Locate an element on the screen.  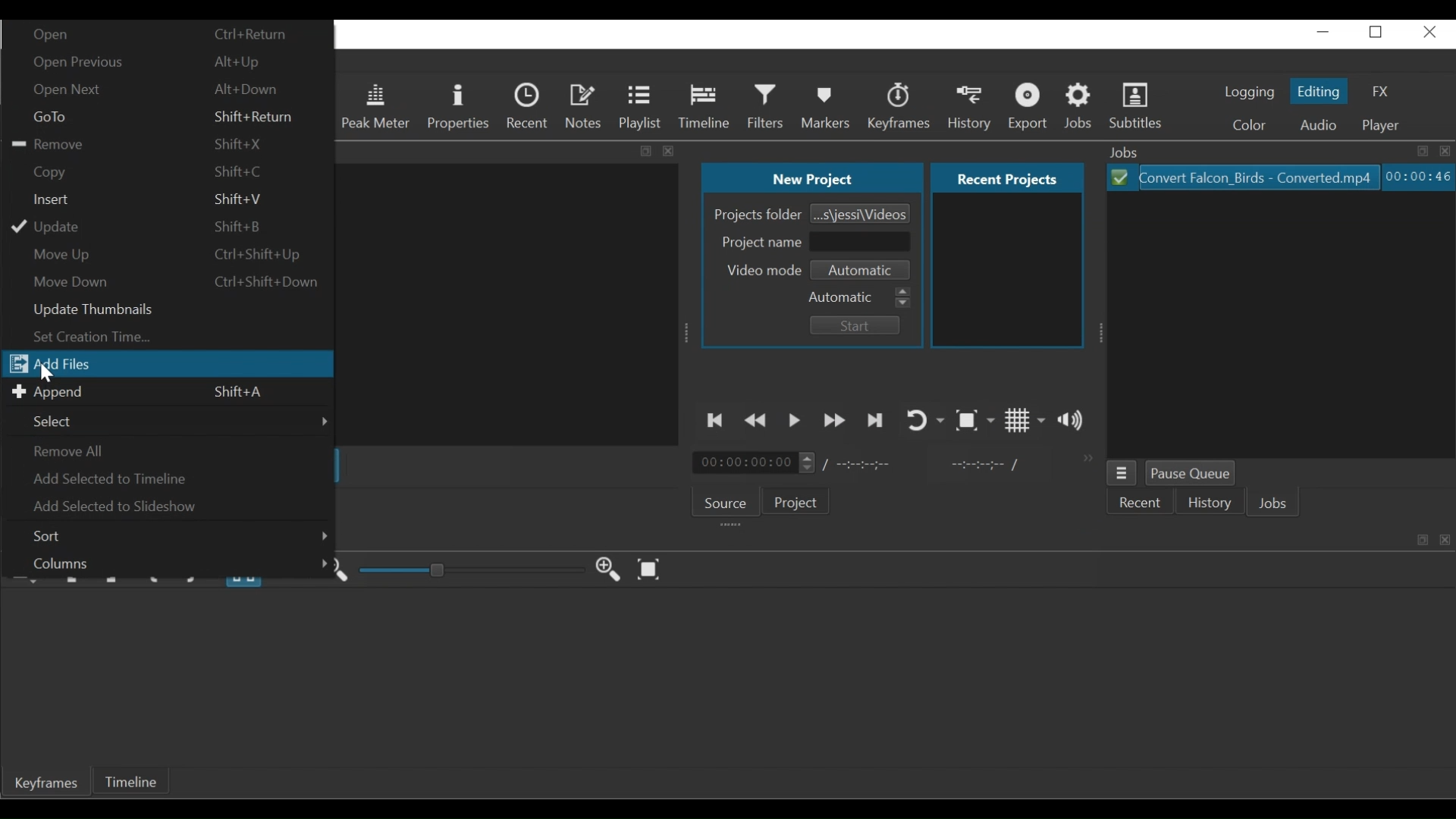
Set Video mode is located at coordinates (865, 270).